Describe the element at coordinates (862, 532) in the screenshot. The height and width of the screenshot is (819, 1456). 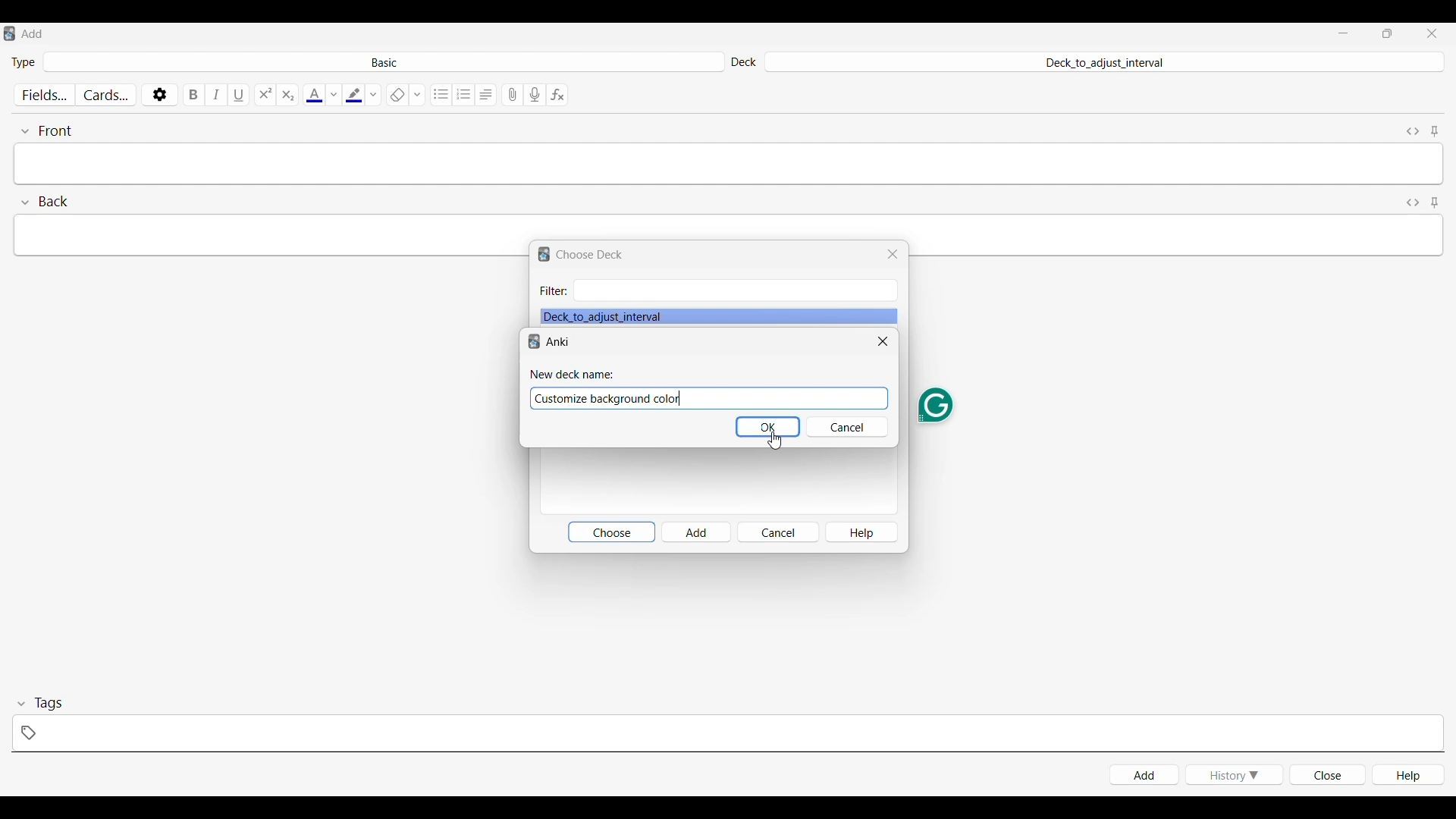
I see `Help` at that location.